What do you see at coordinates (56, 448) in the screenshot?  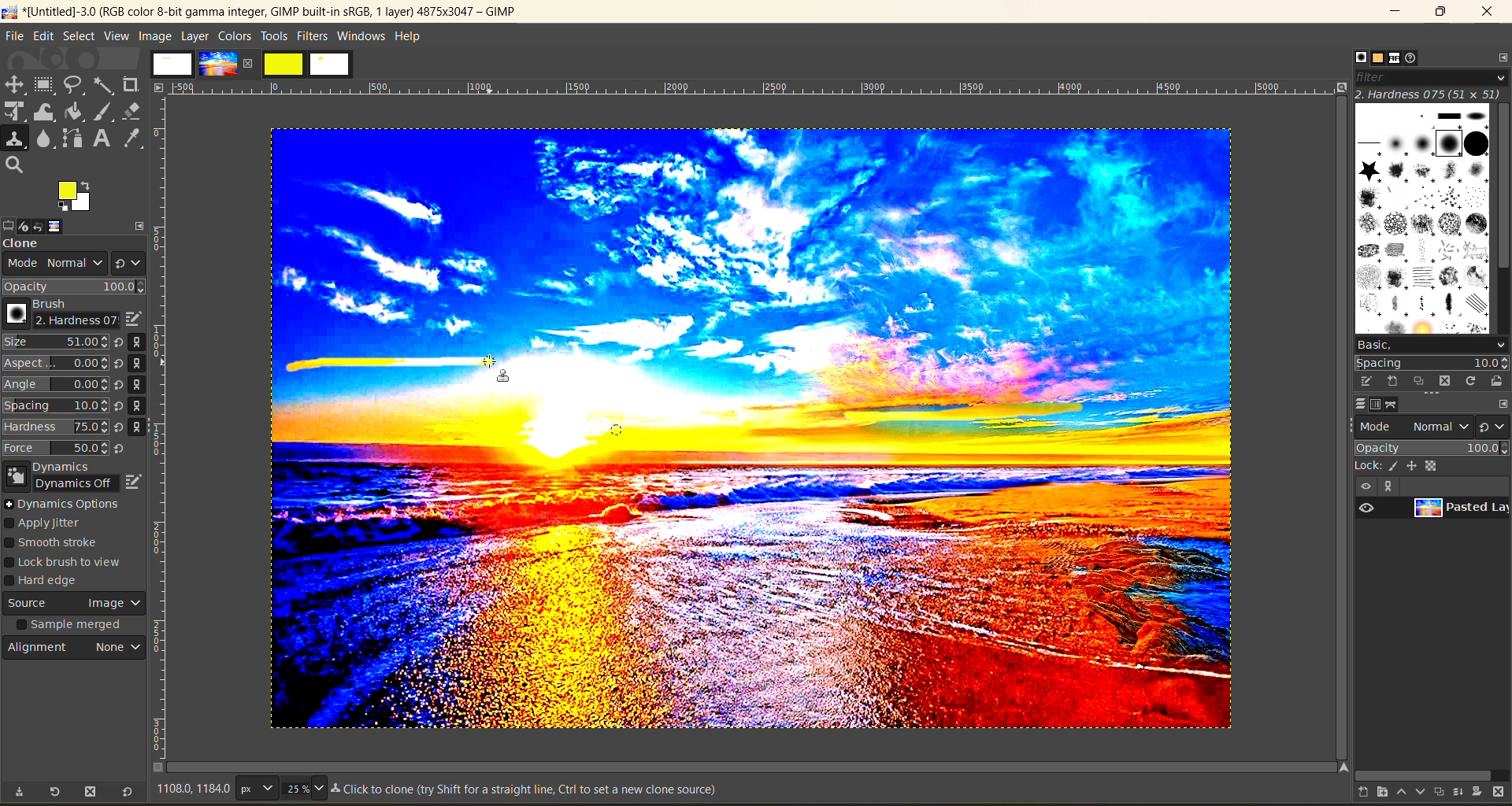 I see `Force. 50.0` at bounding box center [56, 448].